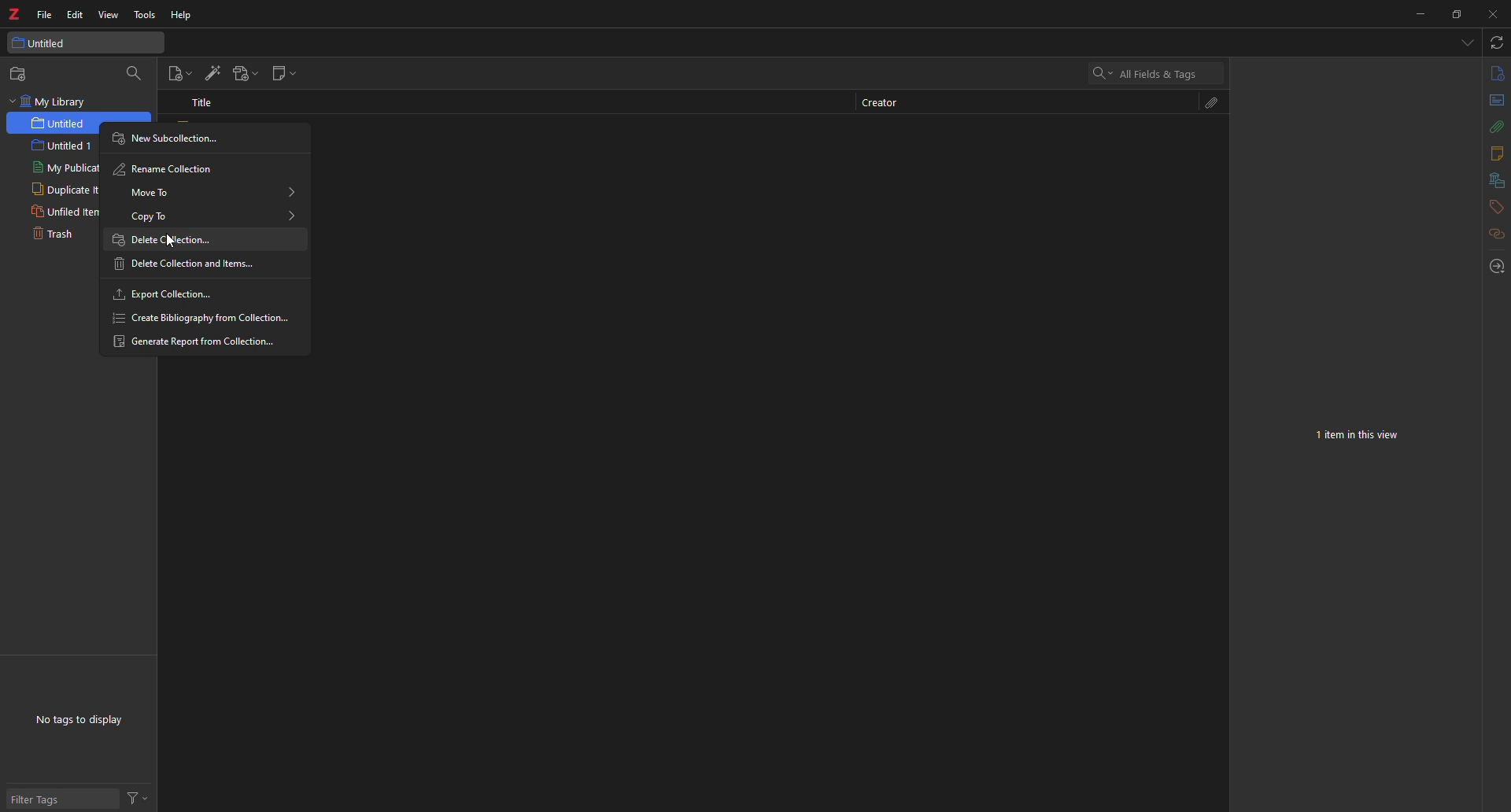 This screenshot has height=812, width=1511. What do you see at coordinates (21, 74) in the screenshot?
I see `new collection` at bounding box center [21, 74].